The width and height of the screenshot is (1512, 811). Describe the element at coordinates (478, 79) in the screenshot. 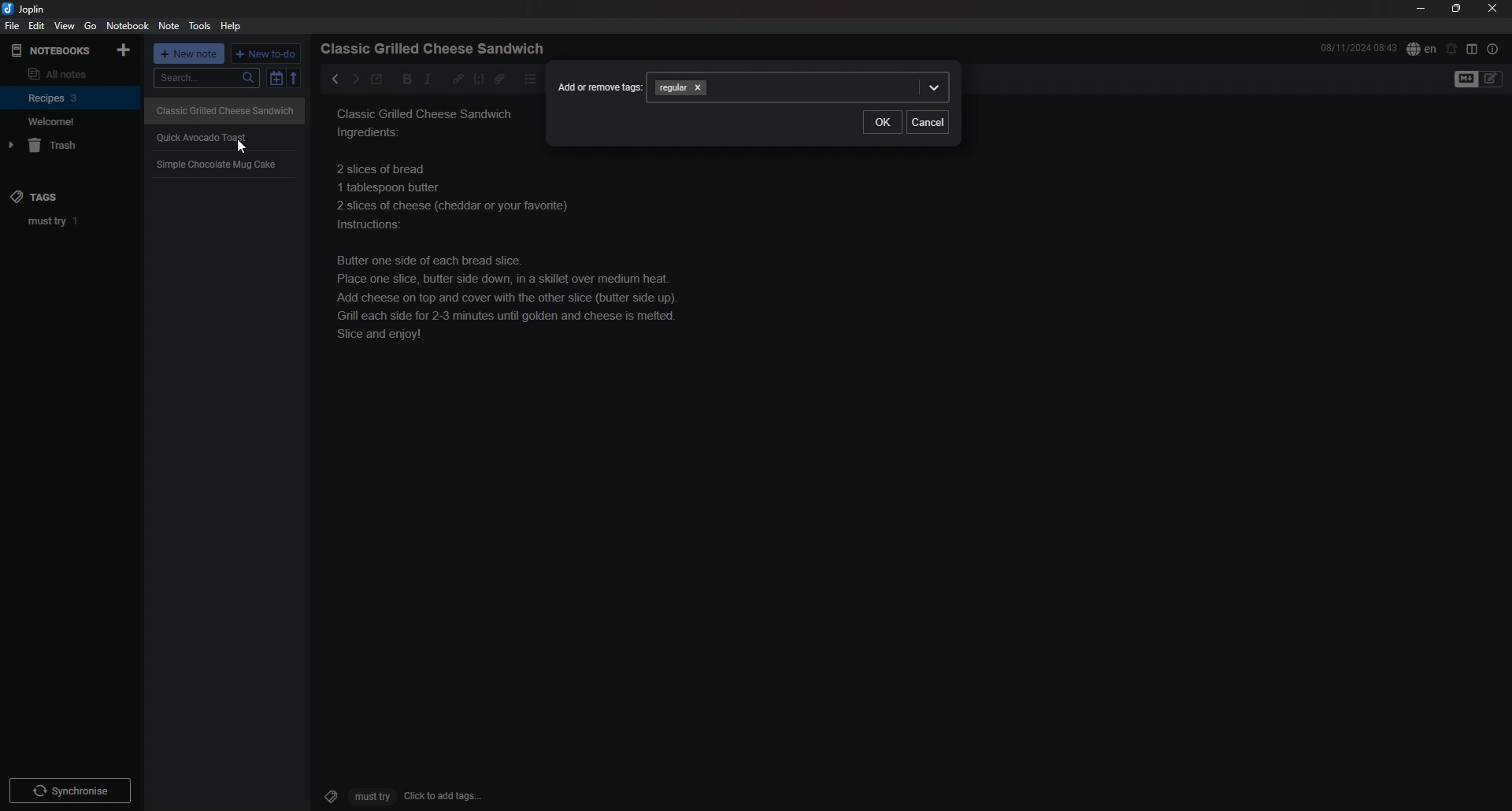

I see `code` at that location.